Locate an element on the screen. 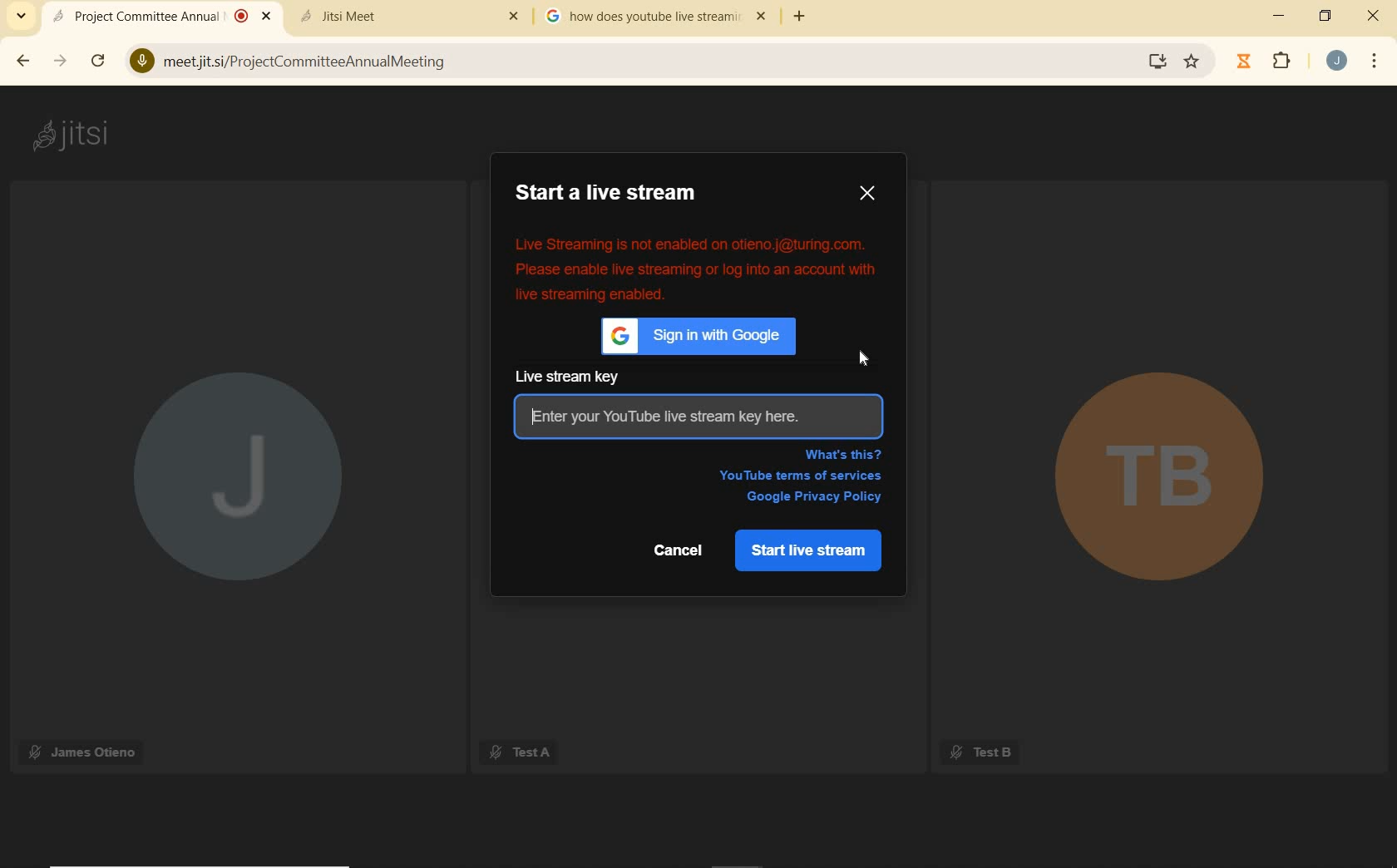  Install Google Meet is located at coordinates (1158, 62).